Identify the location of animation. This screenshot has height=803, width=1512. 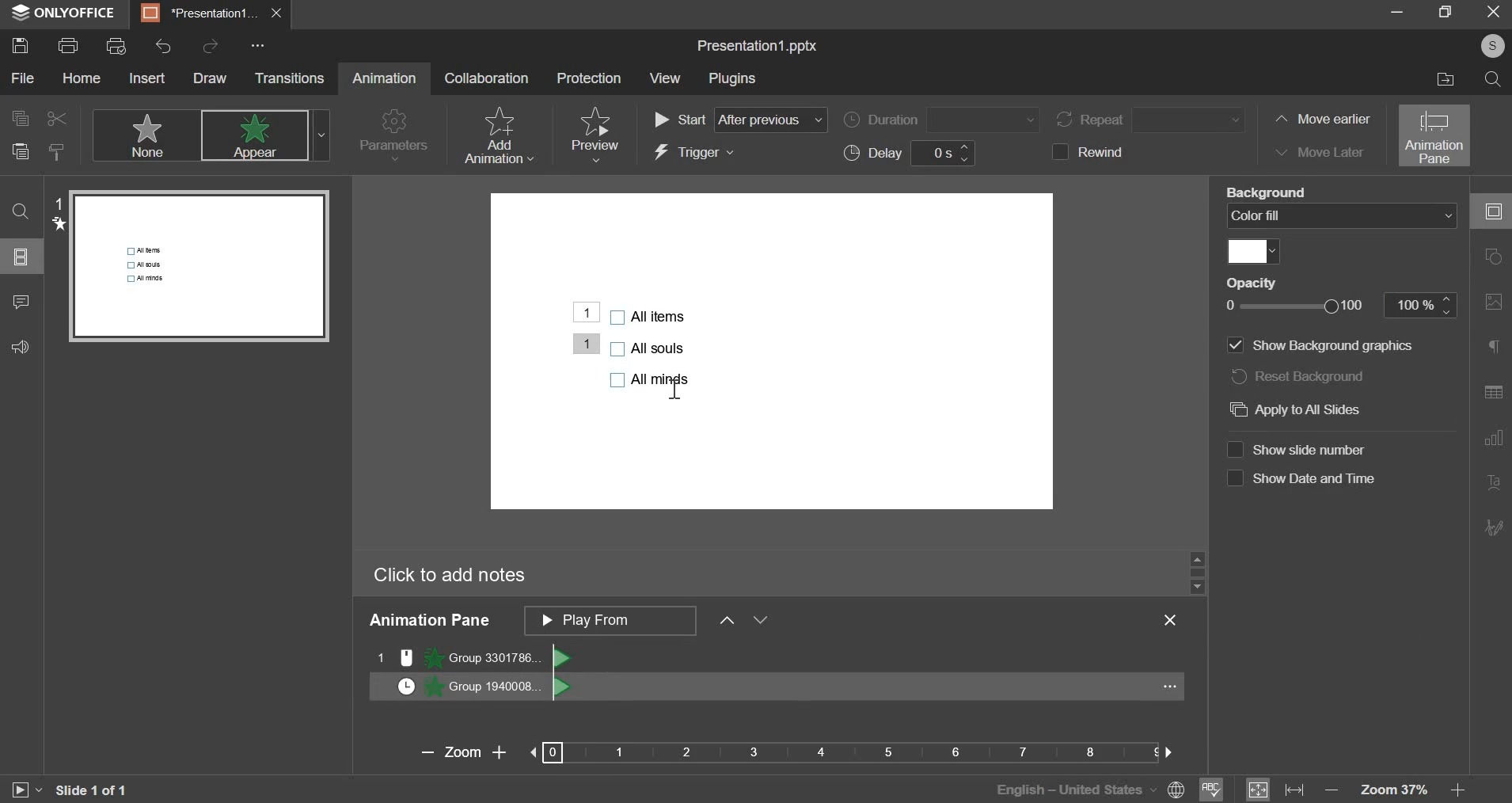
(384, 78).